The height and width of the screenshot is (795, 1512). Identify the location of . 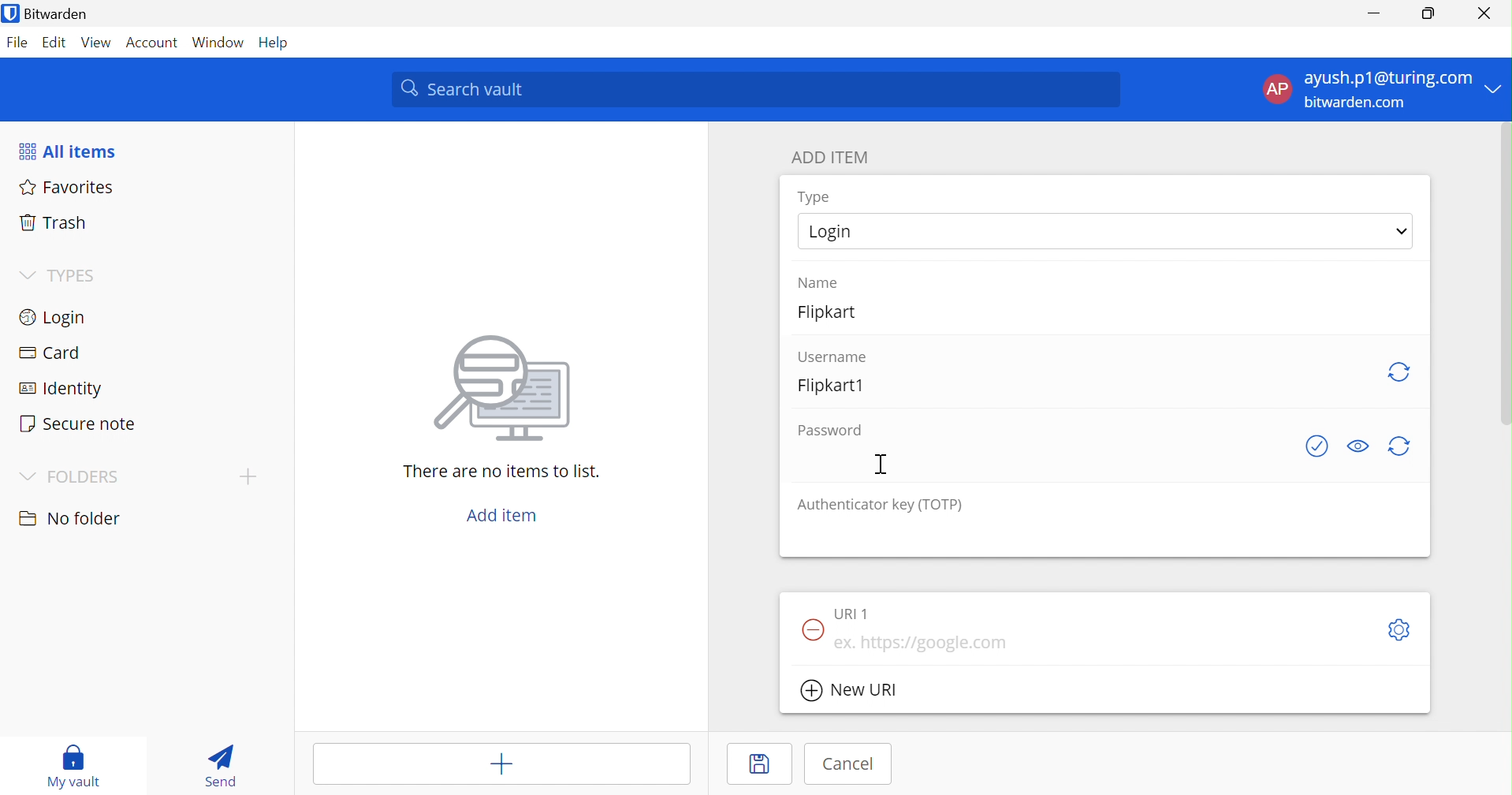
(810, 632).